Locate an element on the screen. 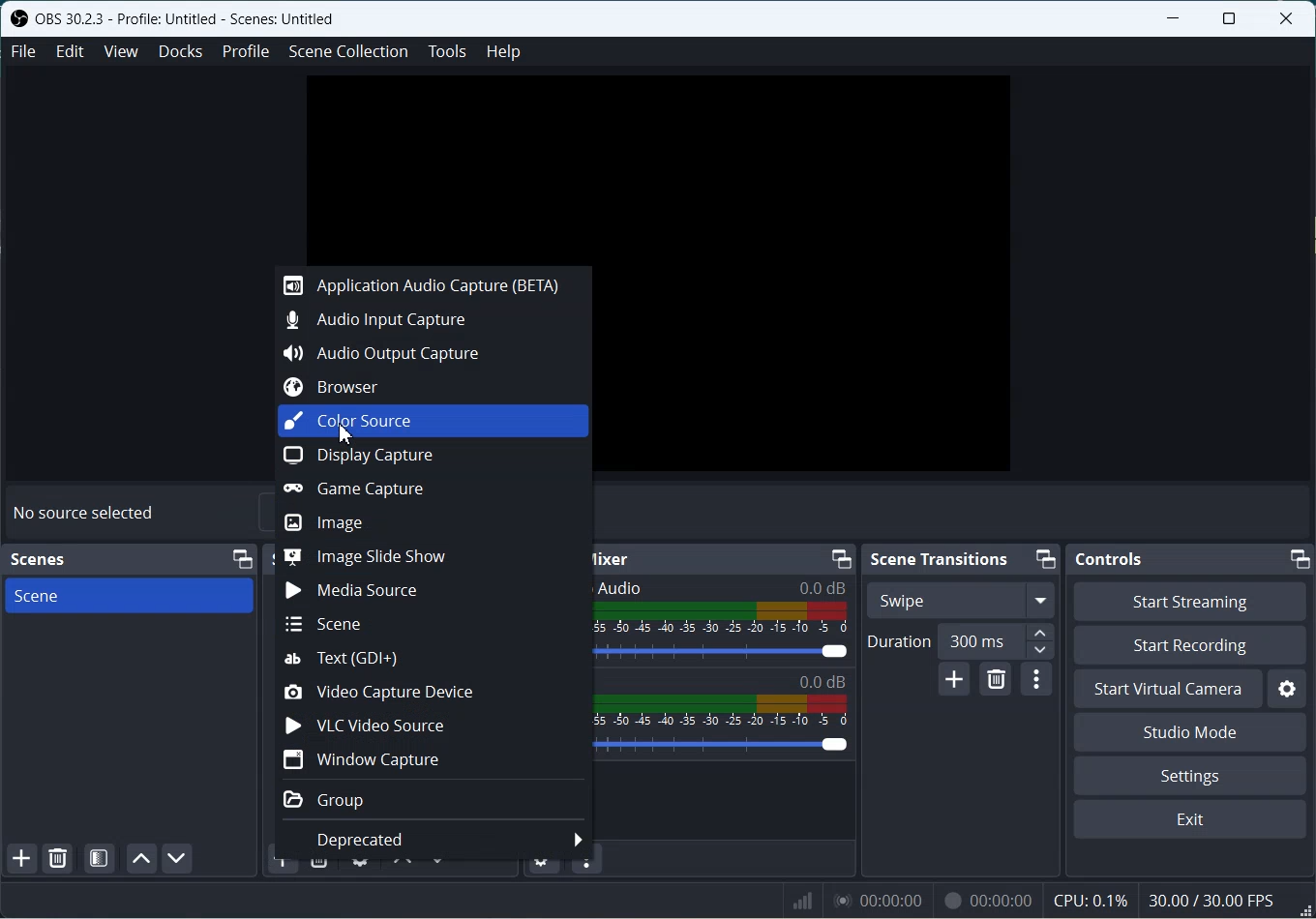  Duration is located at coordinates (896, 641).